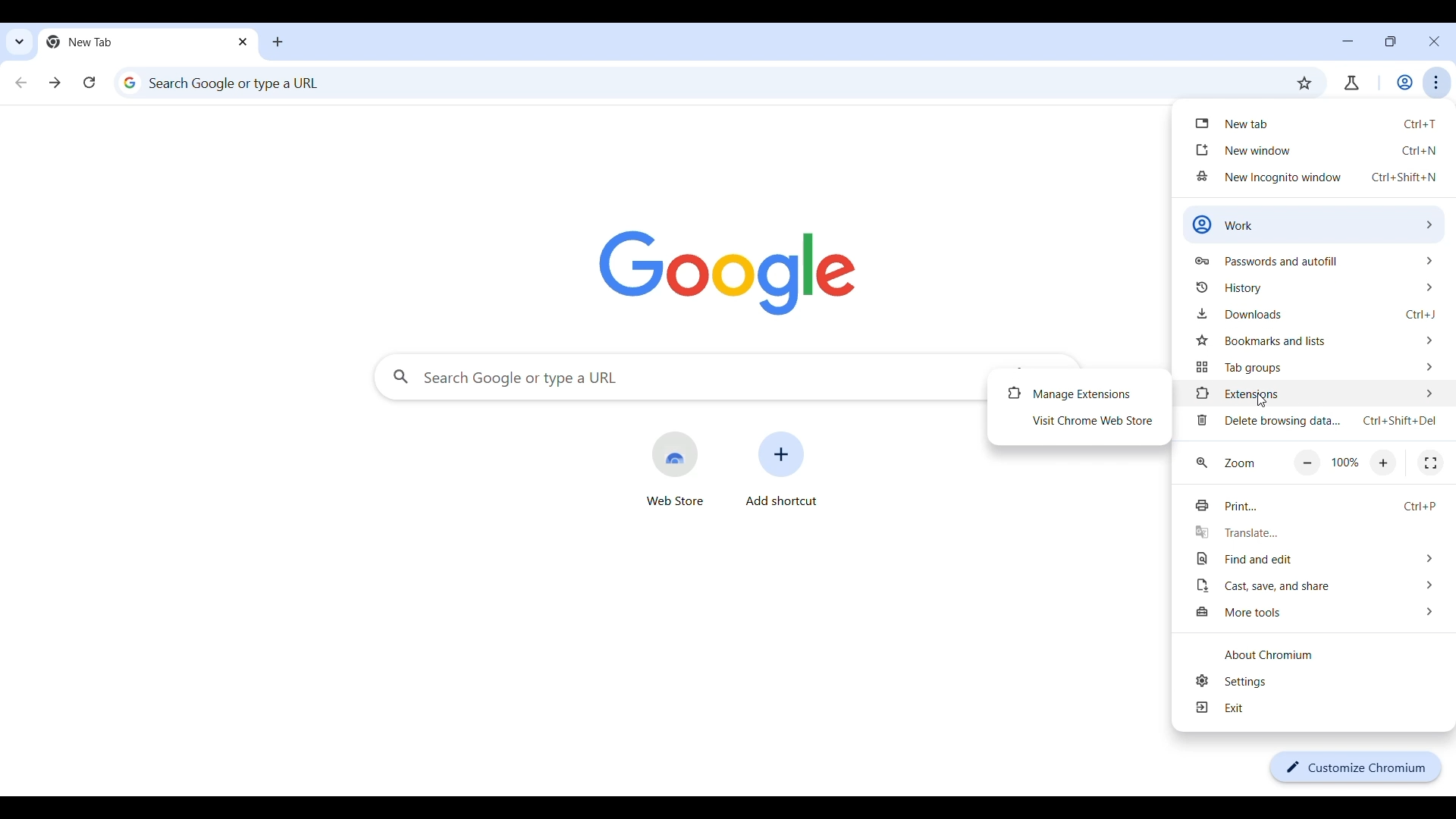 Image resolution: width=1456 pixels, height=819 pixels. What do you see at coordinates (1314, 149) in the screenshot?
I see `Open new window` at bounding box center [1314, 149].